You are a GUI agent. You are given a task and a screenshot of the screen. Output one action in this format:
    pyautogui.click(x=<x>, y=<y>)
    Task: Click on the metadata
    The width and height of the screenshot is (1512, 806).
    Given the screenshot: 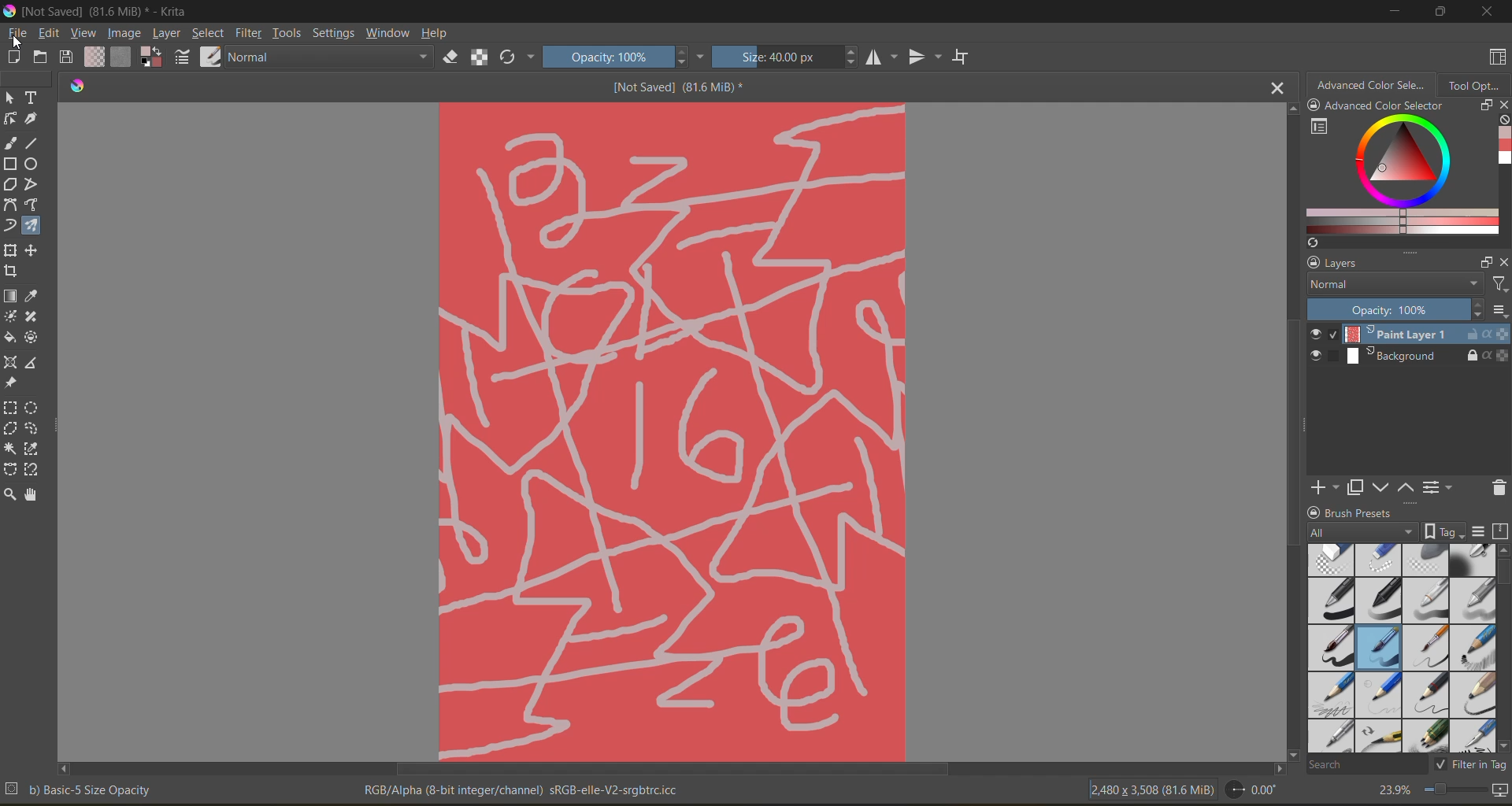 What is the action you would take?
    pyautogui.click(x=80, y=789)
    